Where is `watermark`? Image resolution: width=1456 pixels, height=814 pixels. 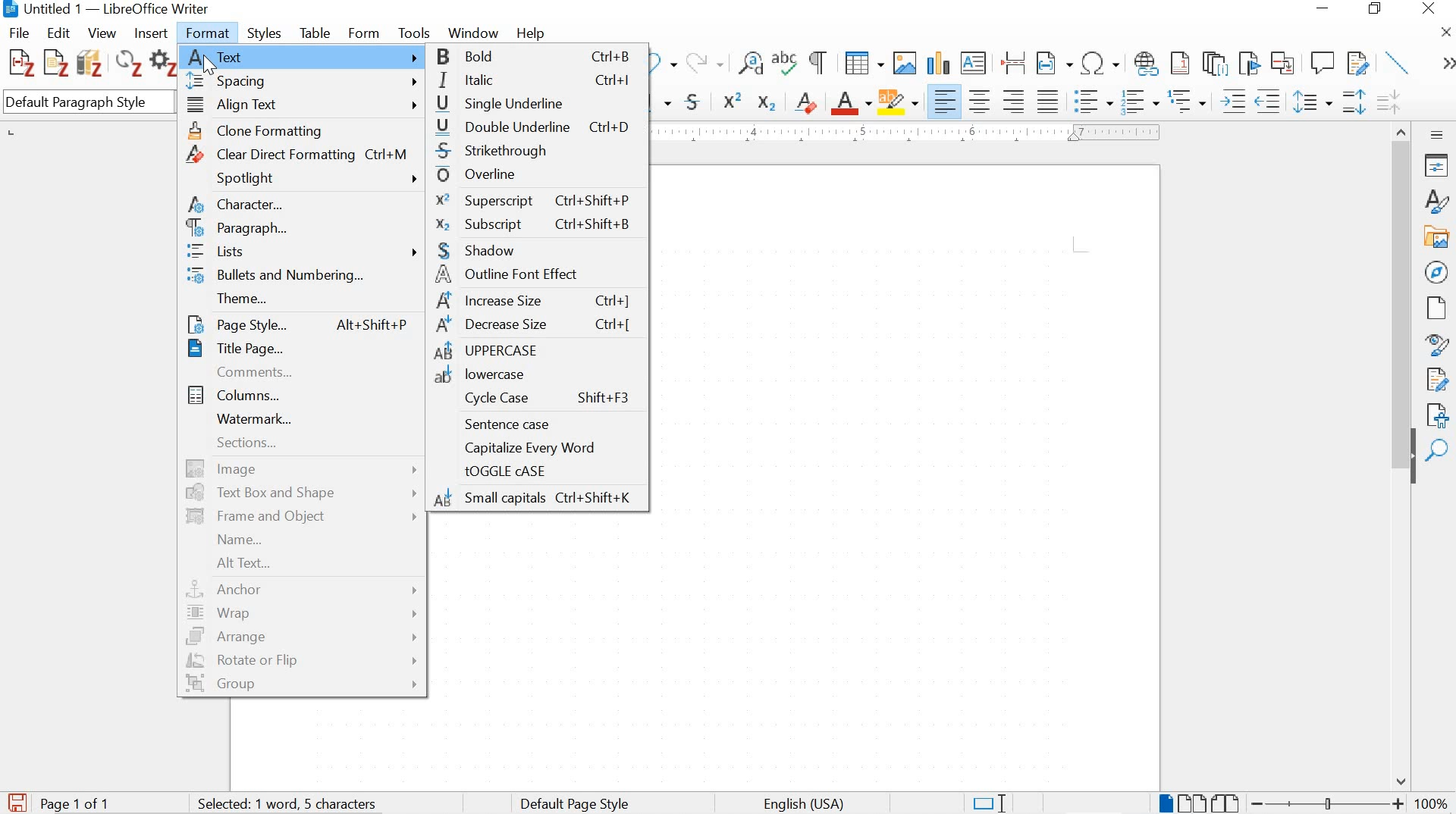 watermark is located at coordinates (300, 418).